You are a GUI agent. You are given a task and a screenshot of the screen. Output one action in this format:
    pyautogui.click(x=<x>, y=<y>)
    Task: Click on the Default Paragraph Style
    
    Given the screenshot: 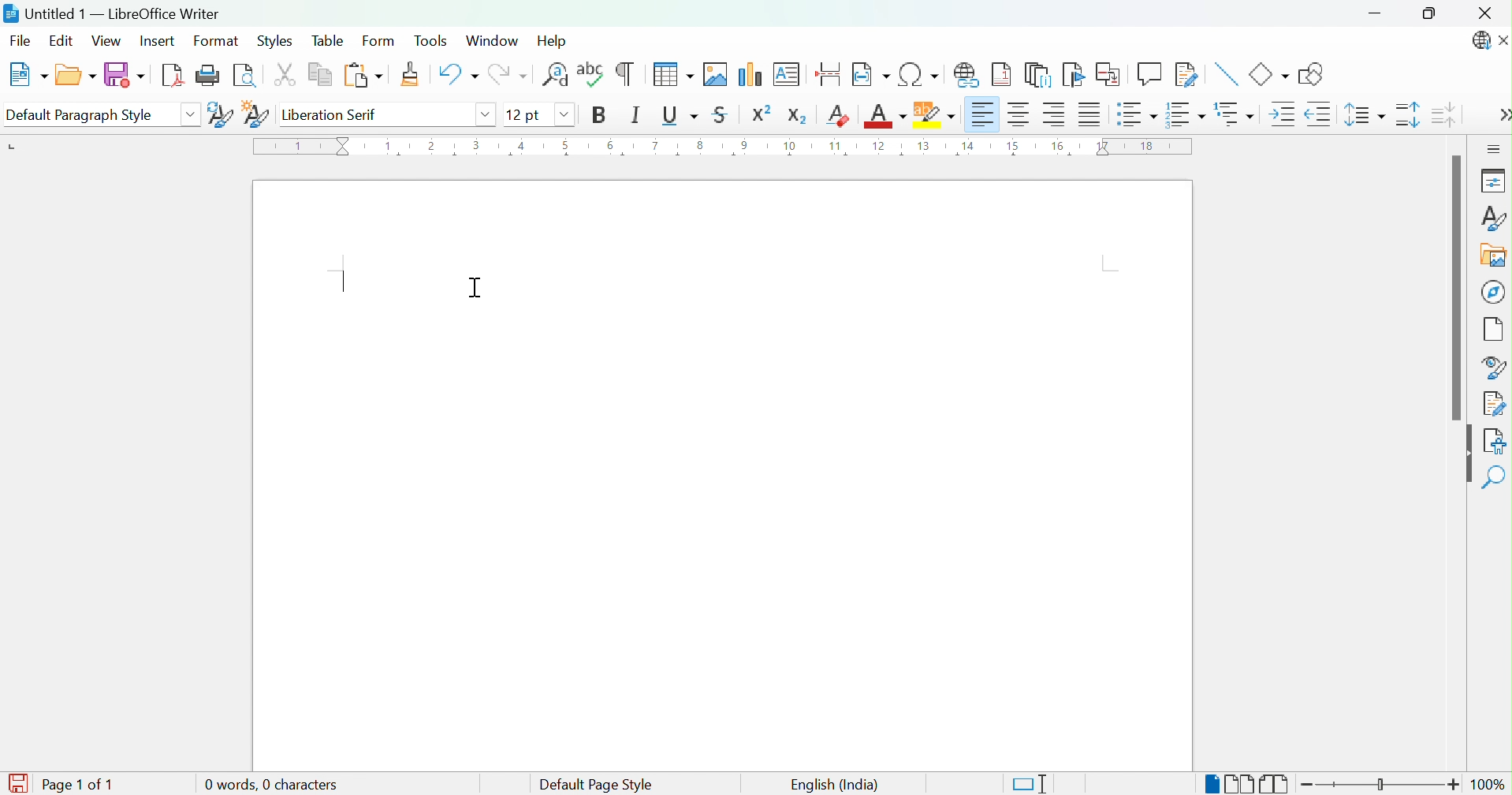 What is the action you would take?
    pyautogui.click(x=85, y=114)
    